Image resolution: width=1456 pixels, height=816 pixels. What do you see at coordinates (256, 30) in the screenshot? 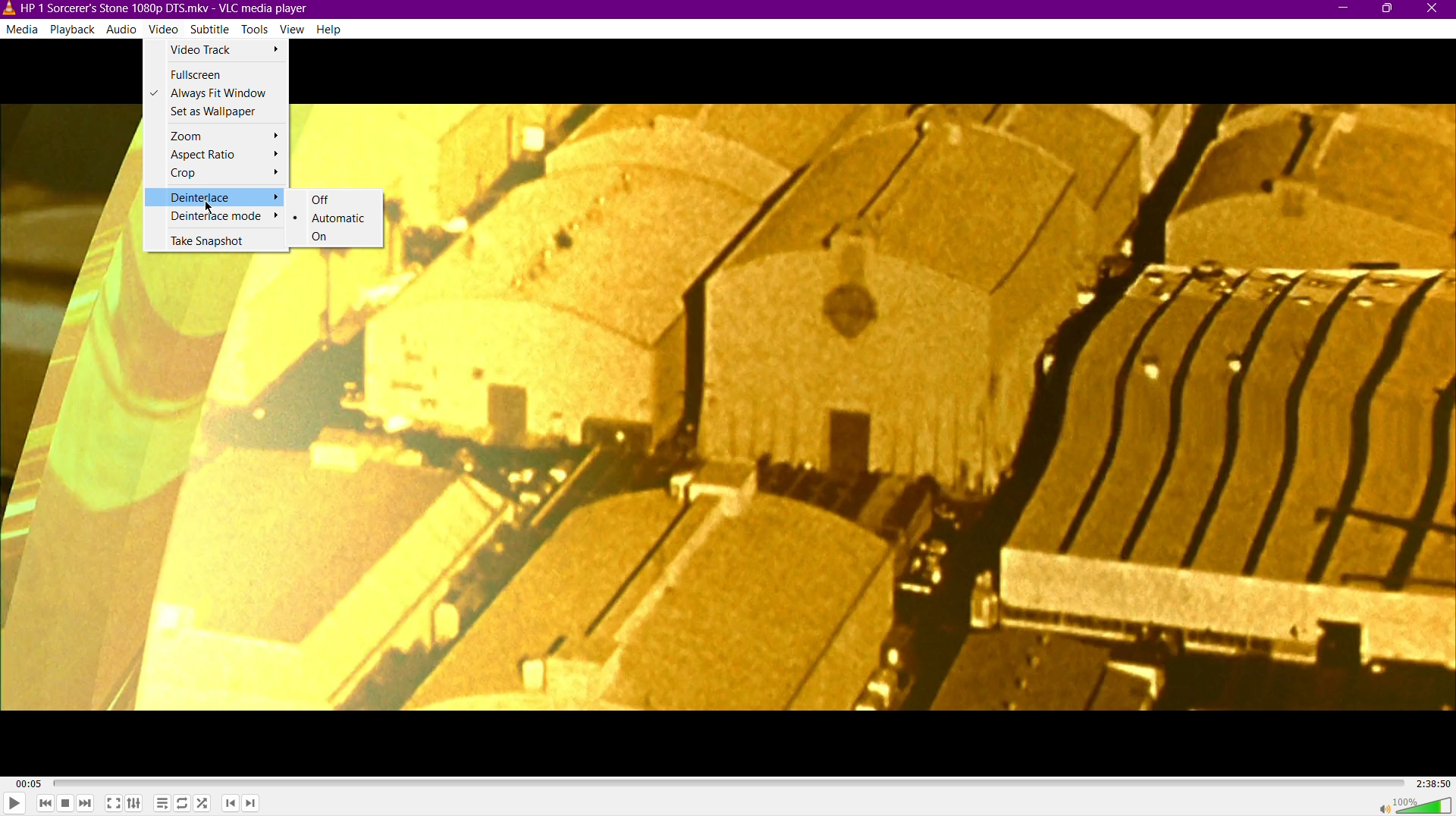
I see `Tools` at bounding box center [256, 30].